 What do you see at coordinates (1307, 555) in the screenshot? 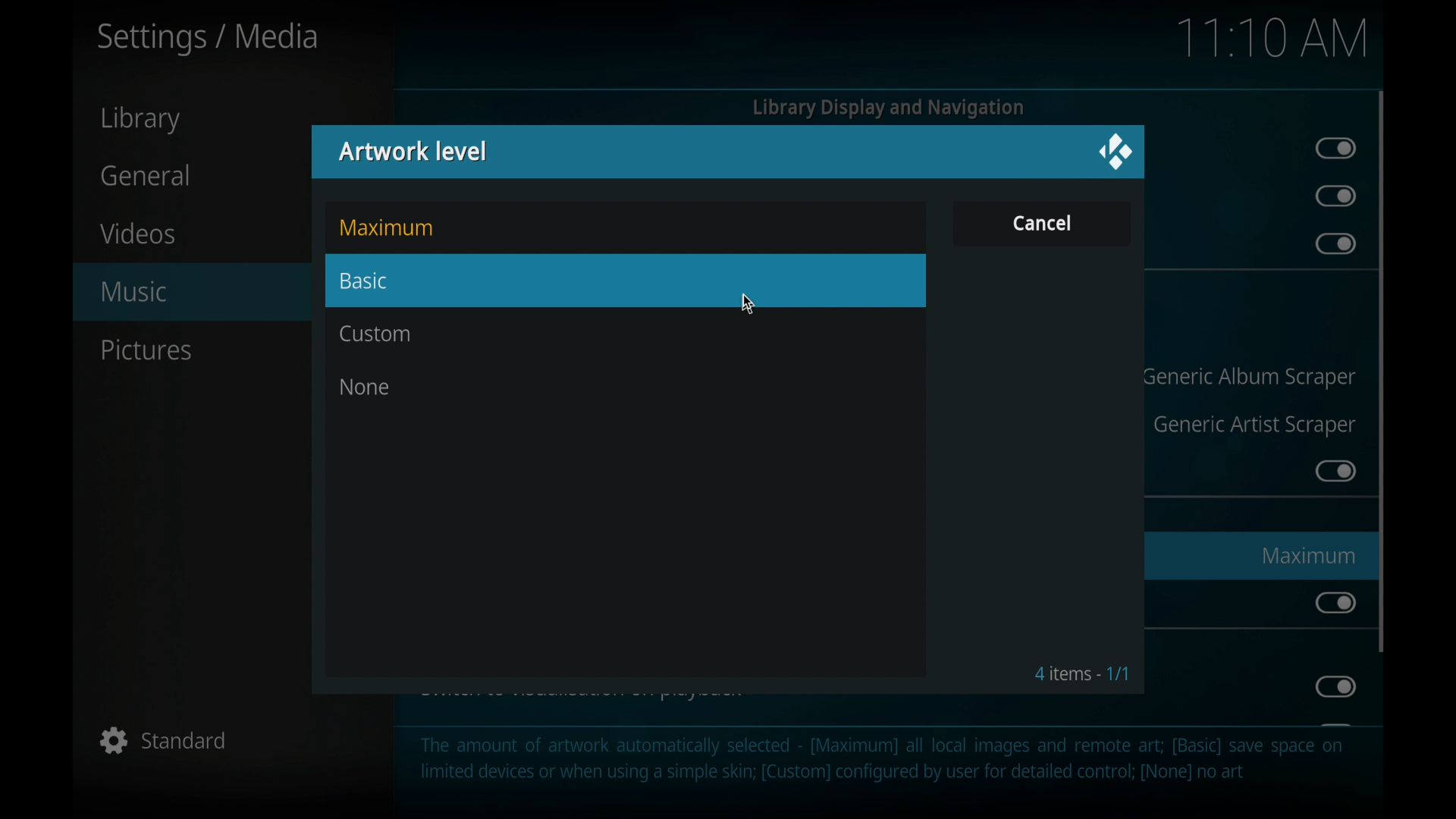
I see `maximum` at bounding box center [1307, 555].